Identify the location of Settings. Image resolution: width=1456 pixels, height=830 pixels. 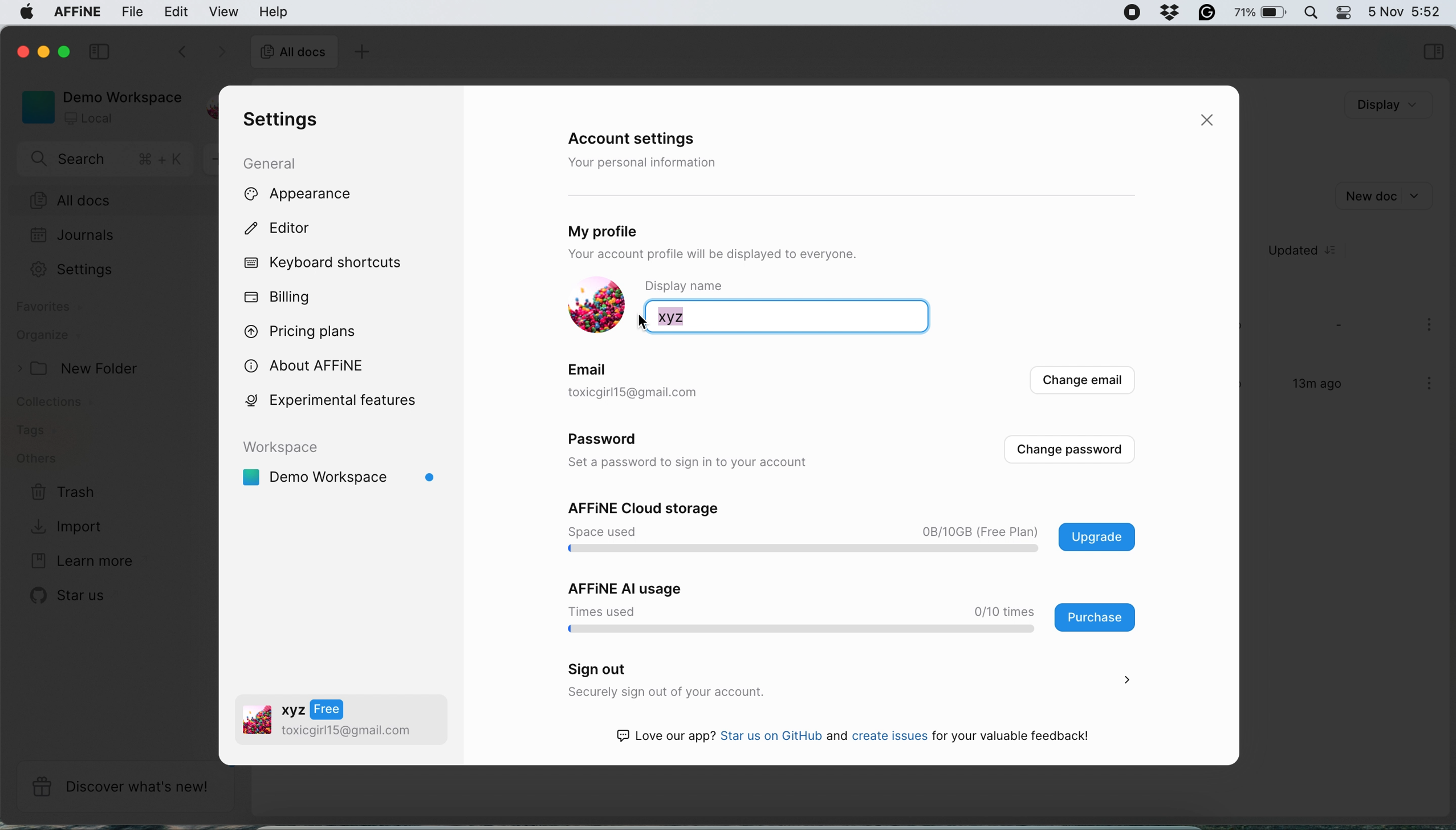
(85, 269).